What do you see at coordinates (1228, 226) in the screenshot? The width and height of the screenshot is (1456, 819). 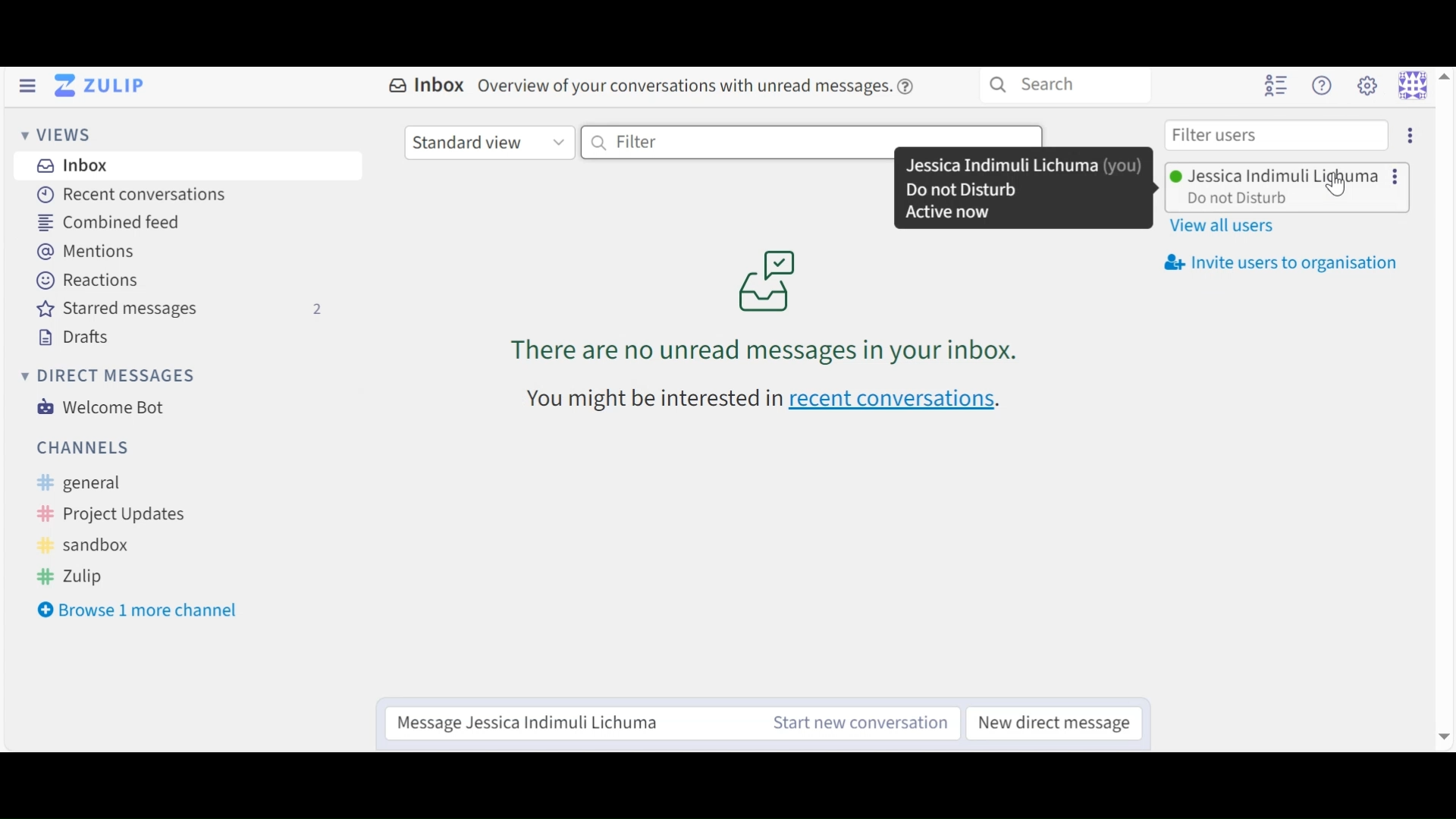 I see `View all user` at bounding box center [1228, 226].